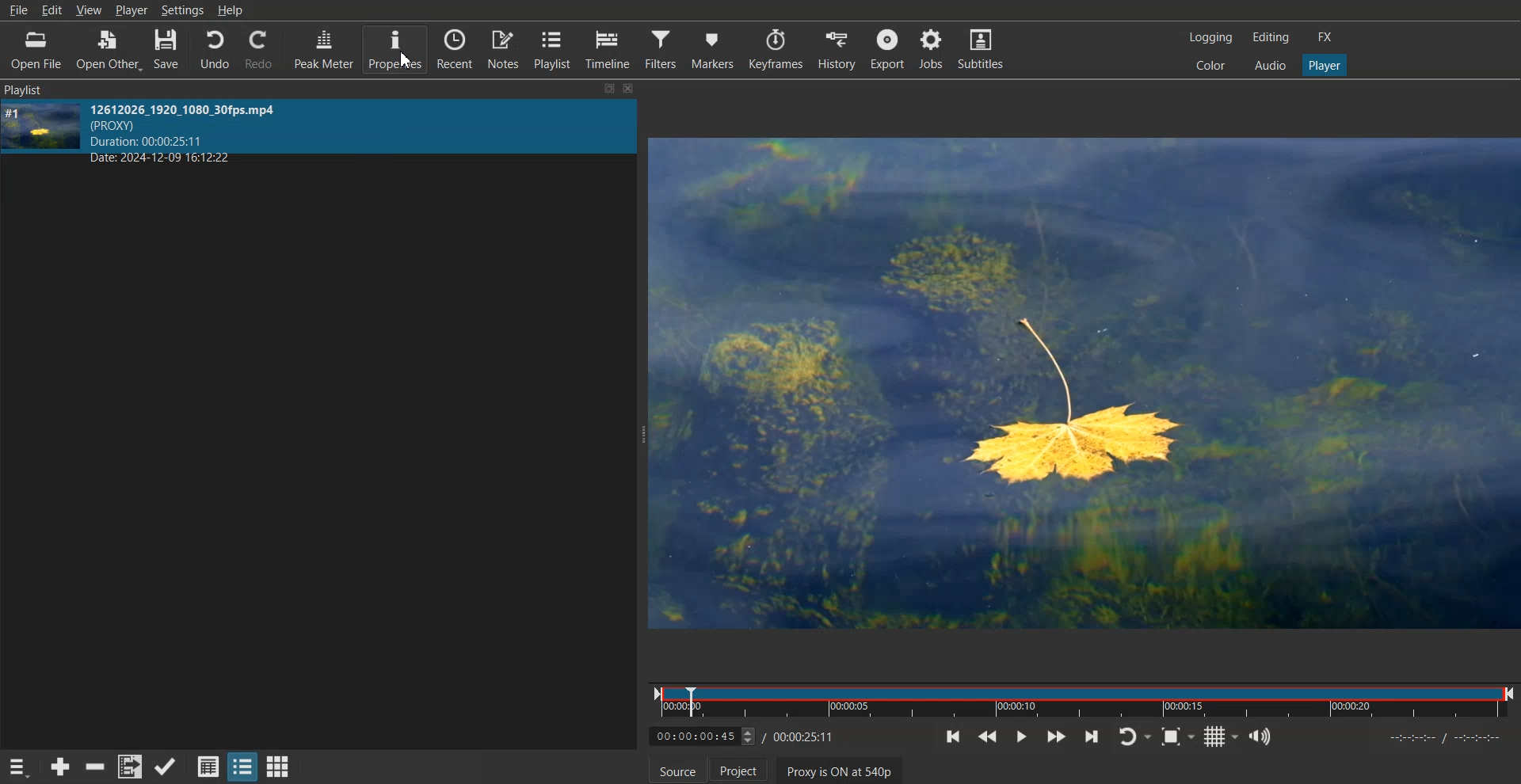 The image size is (1521, 784). What do you see at coordinates (677, 769) in the screenshot?
I see `Source` at bounding box center [677, 769].